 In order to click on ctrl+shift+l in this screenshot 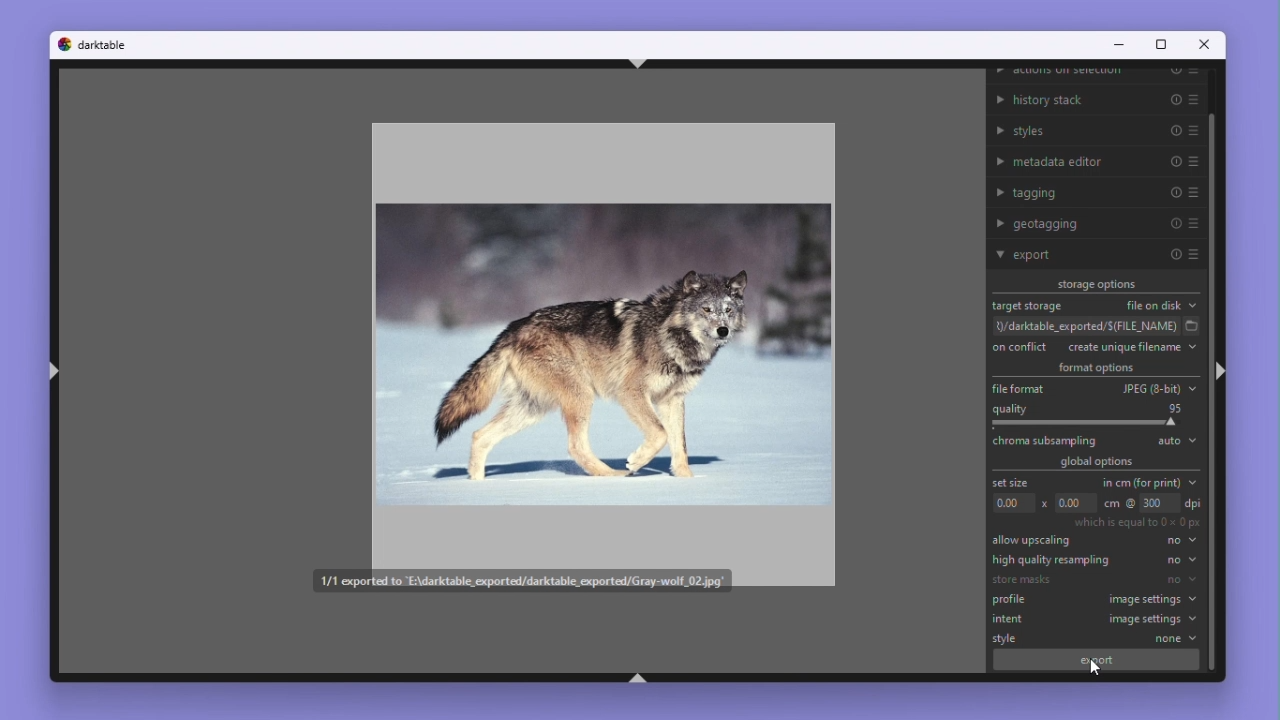, I will do `click(54, 371)`.